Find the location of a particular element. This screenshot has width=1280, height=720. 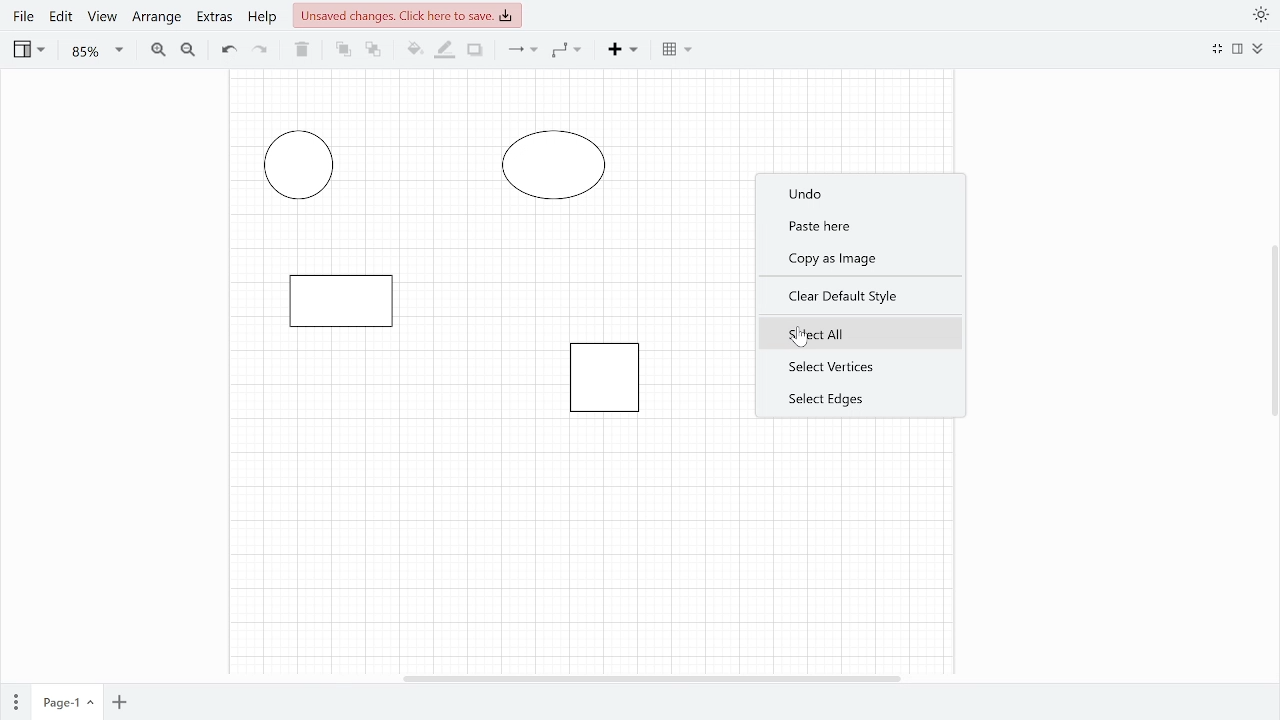

View is located at coordinates (103, 20).